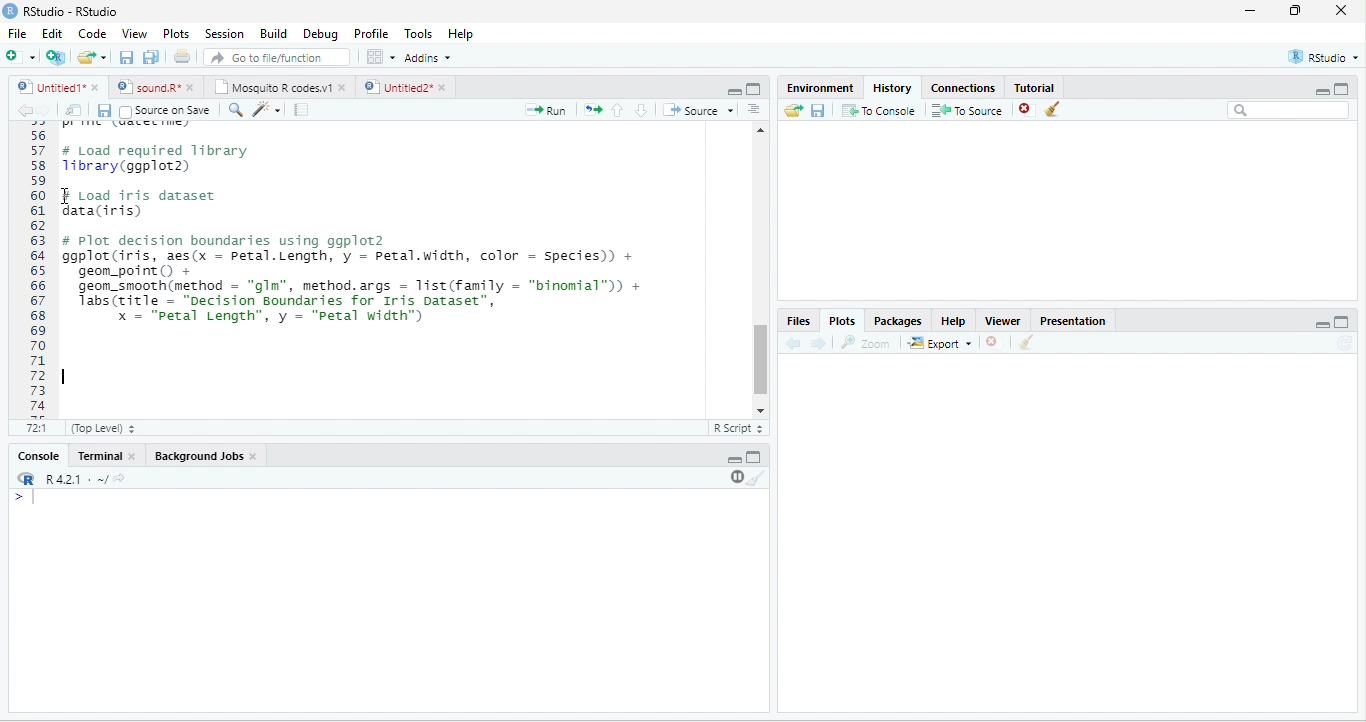  Describe the element at coordinates (25, 111) in the screenshot. I see `back` at that location.